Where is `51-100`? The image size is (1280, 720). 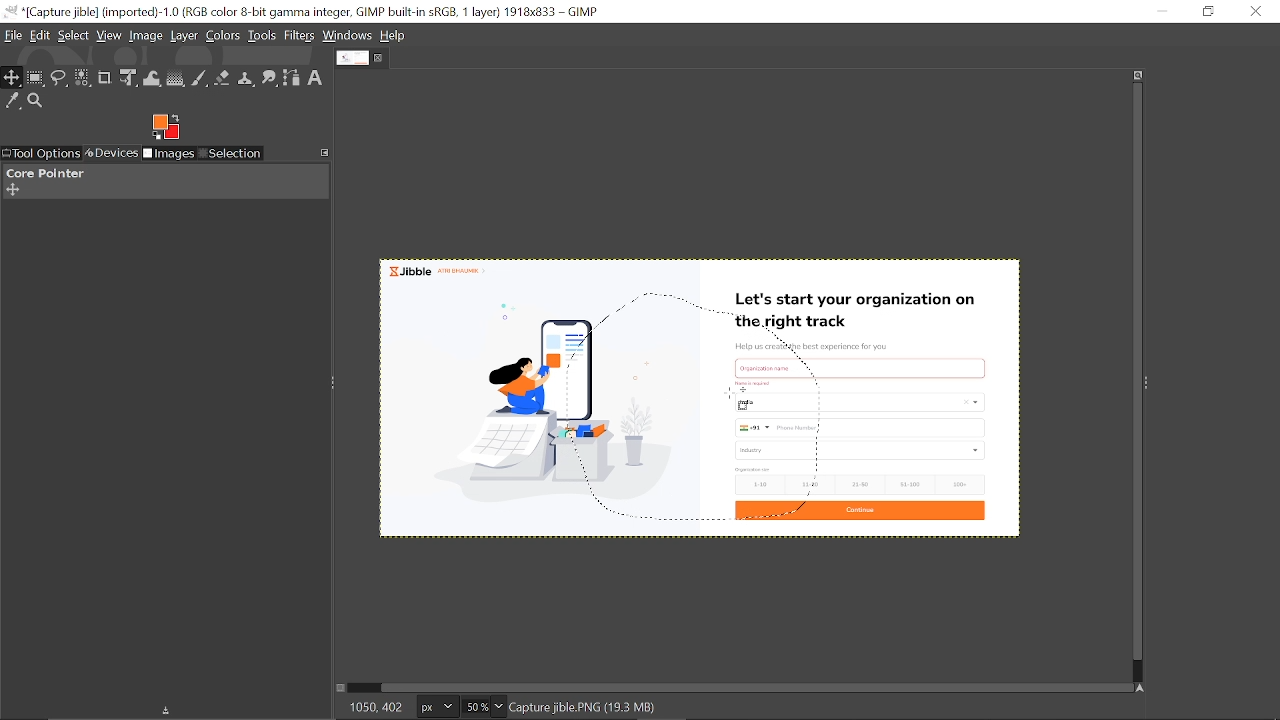
51-100 is located at coordinates (909, 485).